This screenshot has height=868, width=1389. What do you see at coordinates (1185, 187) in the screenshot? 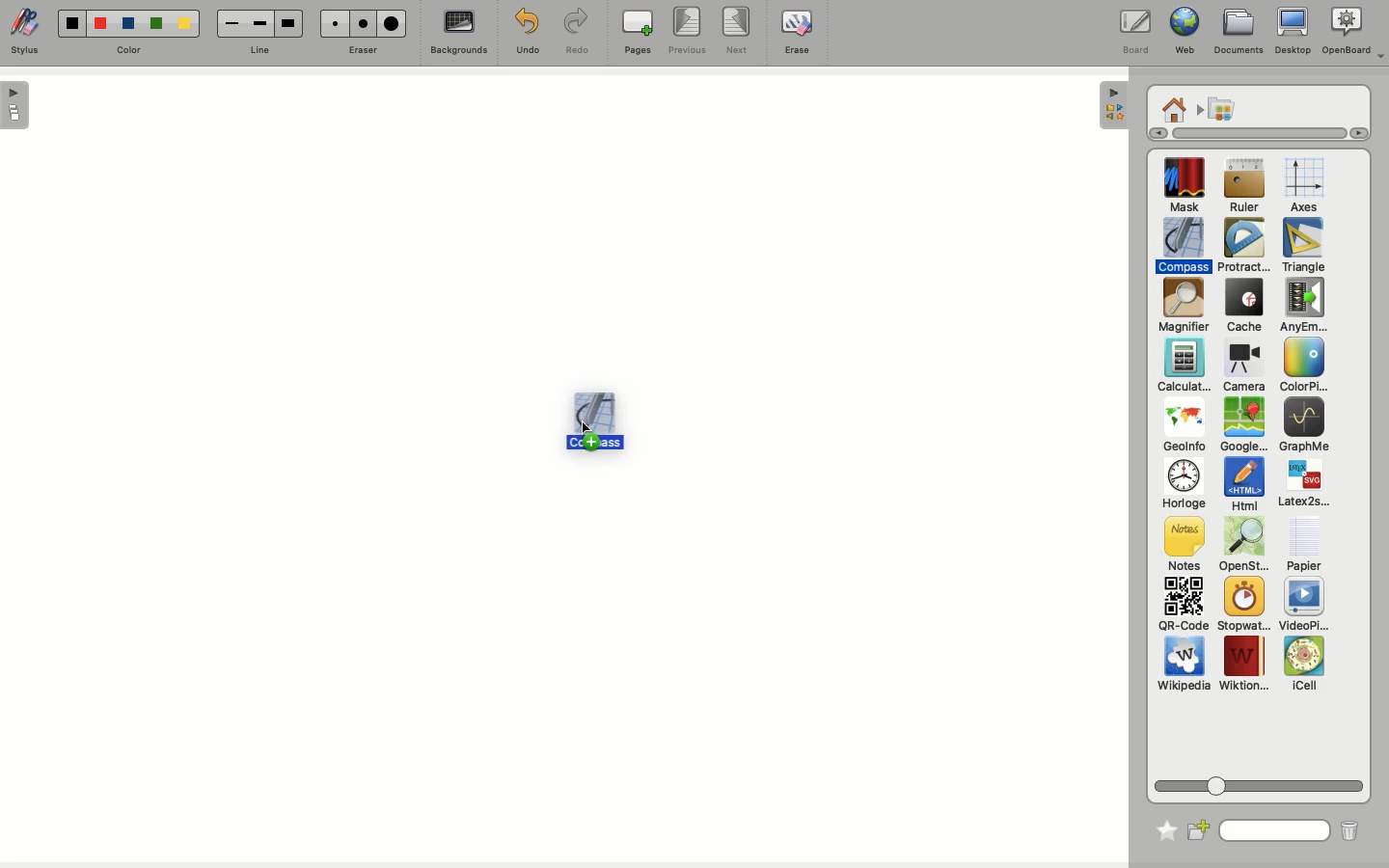
I see `Mask` at bounding box center [1185, 187].